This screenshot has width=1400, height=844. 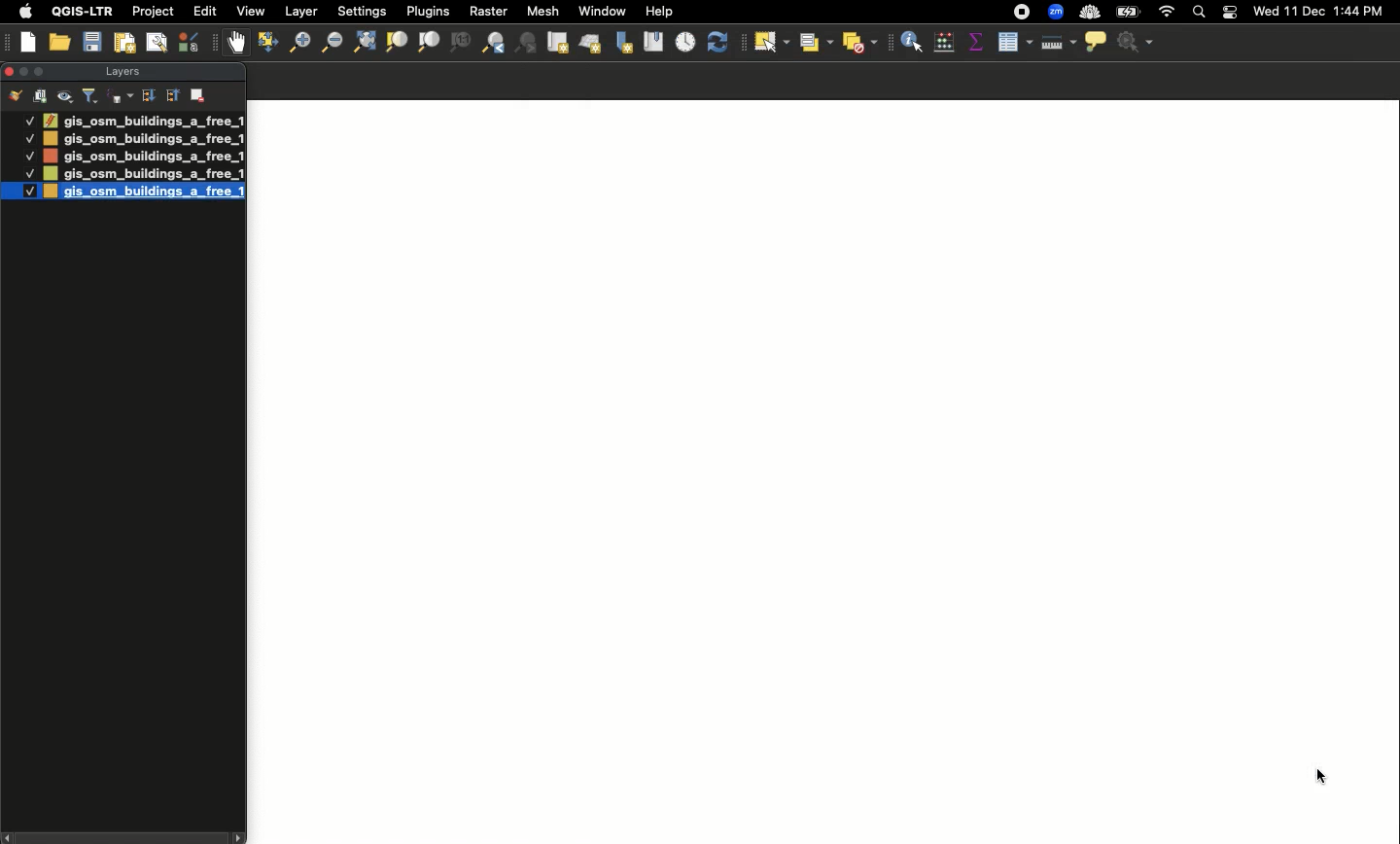 I want to click on Wif, so click(x=1167, y=13).